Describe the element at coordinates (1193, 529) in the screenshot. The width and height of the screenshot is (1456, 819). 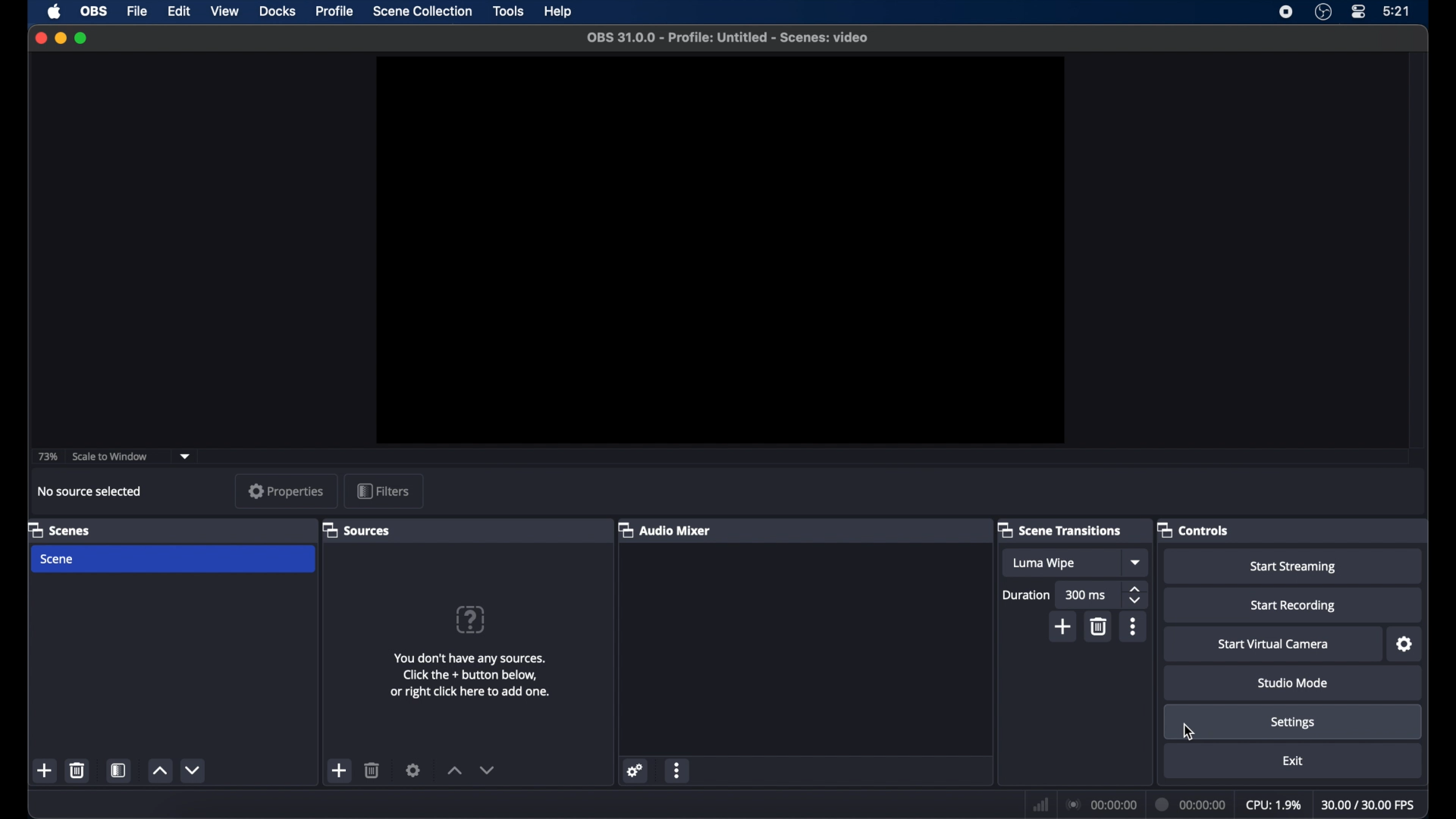
I see `controls` at that location.